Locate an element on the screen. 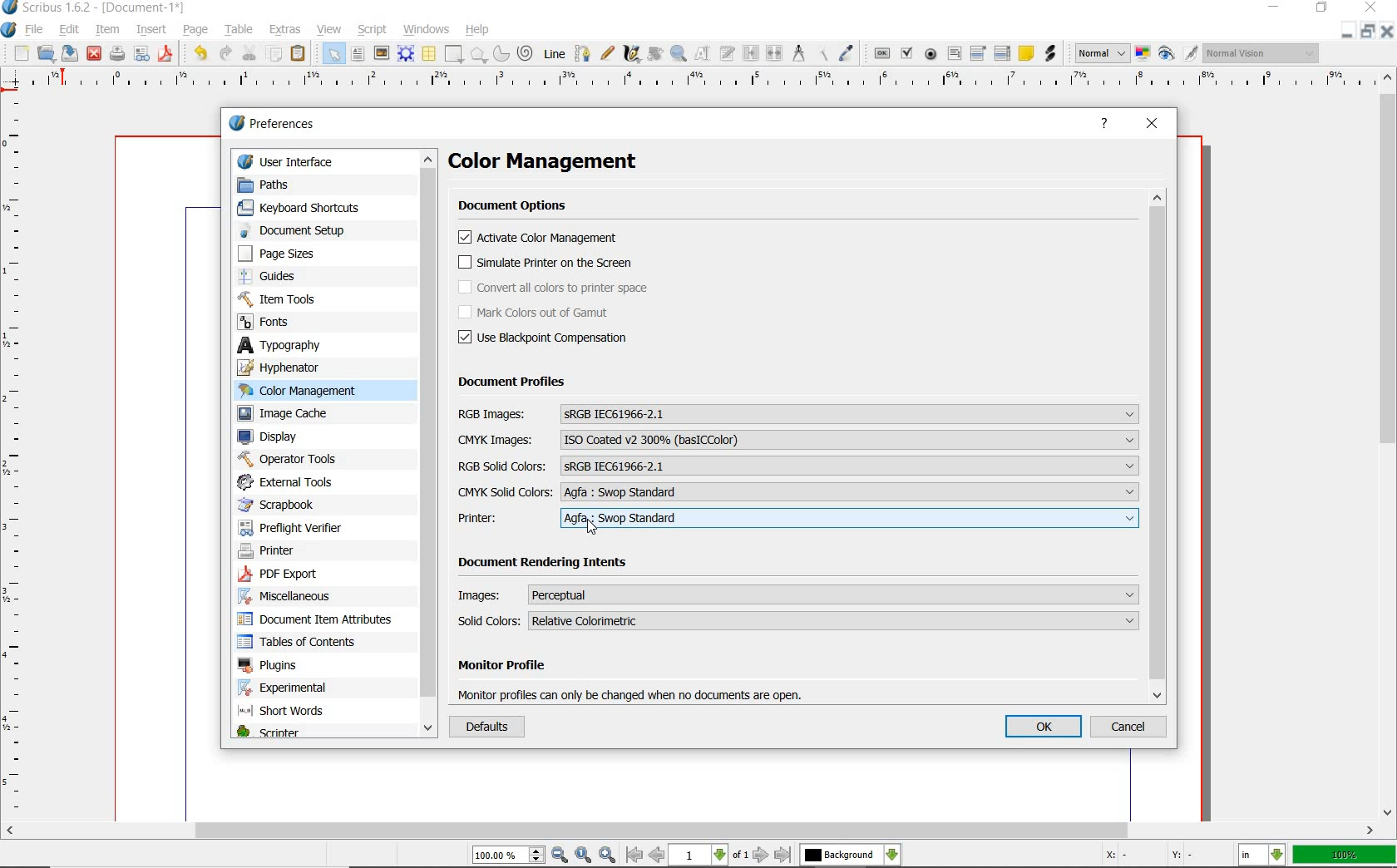 Image resolution: width=1397 pixels, height=868 pixels. restore is located at coordinates (1369, 33).